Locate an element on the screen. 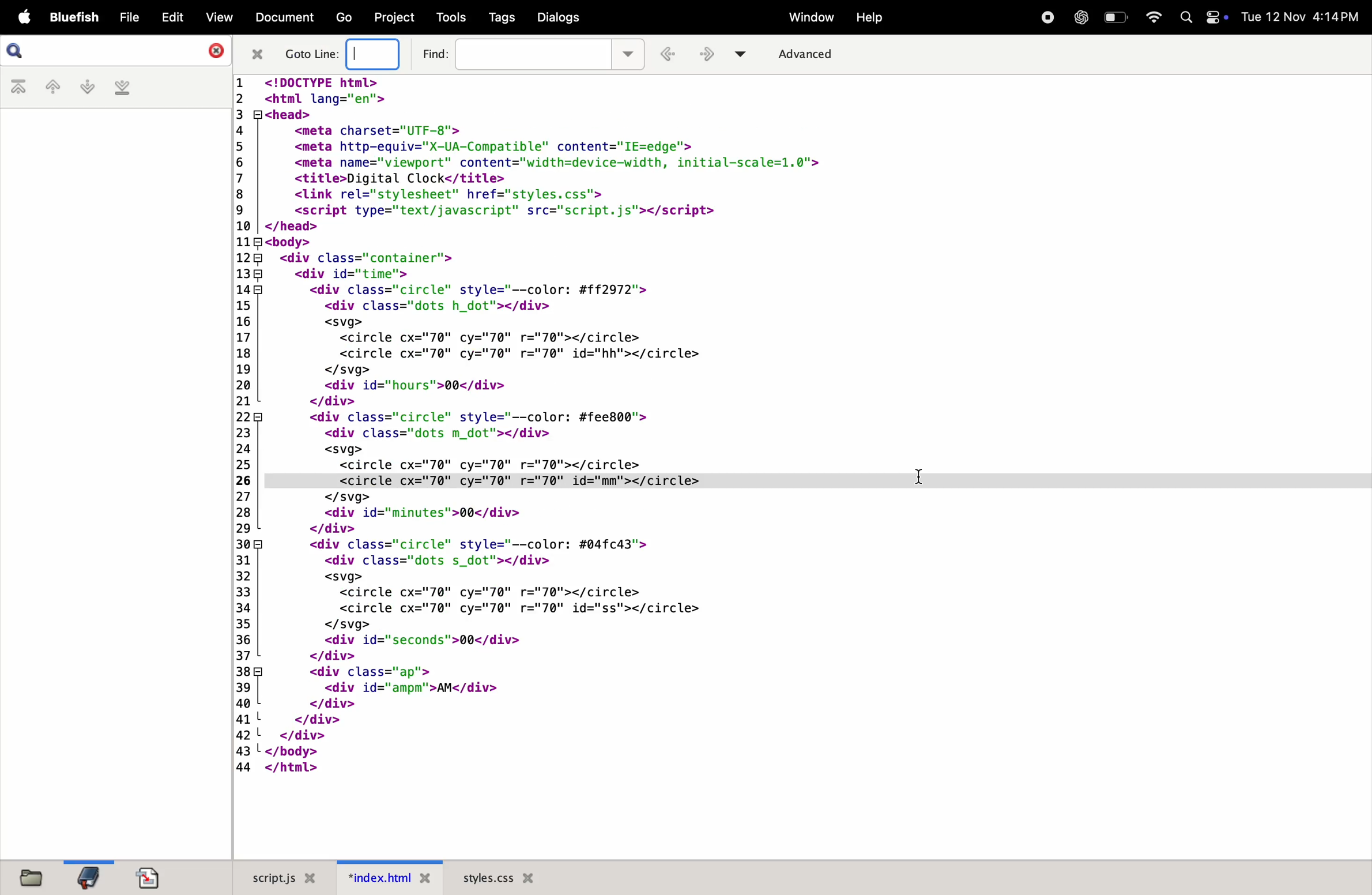 Image resolution: width=1372 pixels, height=895 pixels. go is located at coordinates (342, 18).